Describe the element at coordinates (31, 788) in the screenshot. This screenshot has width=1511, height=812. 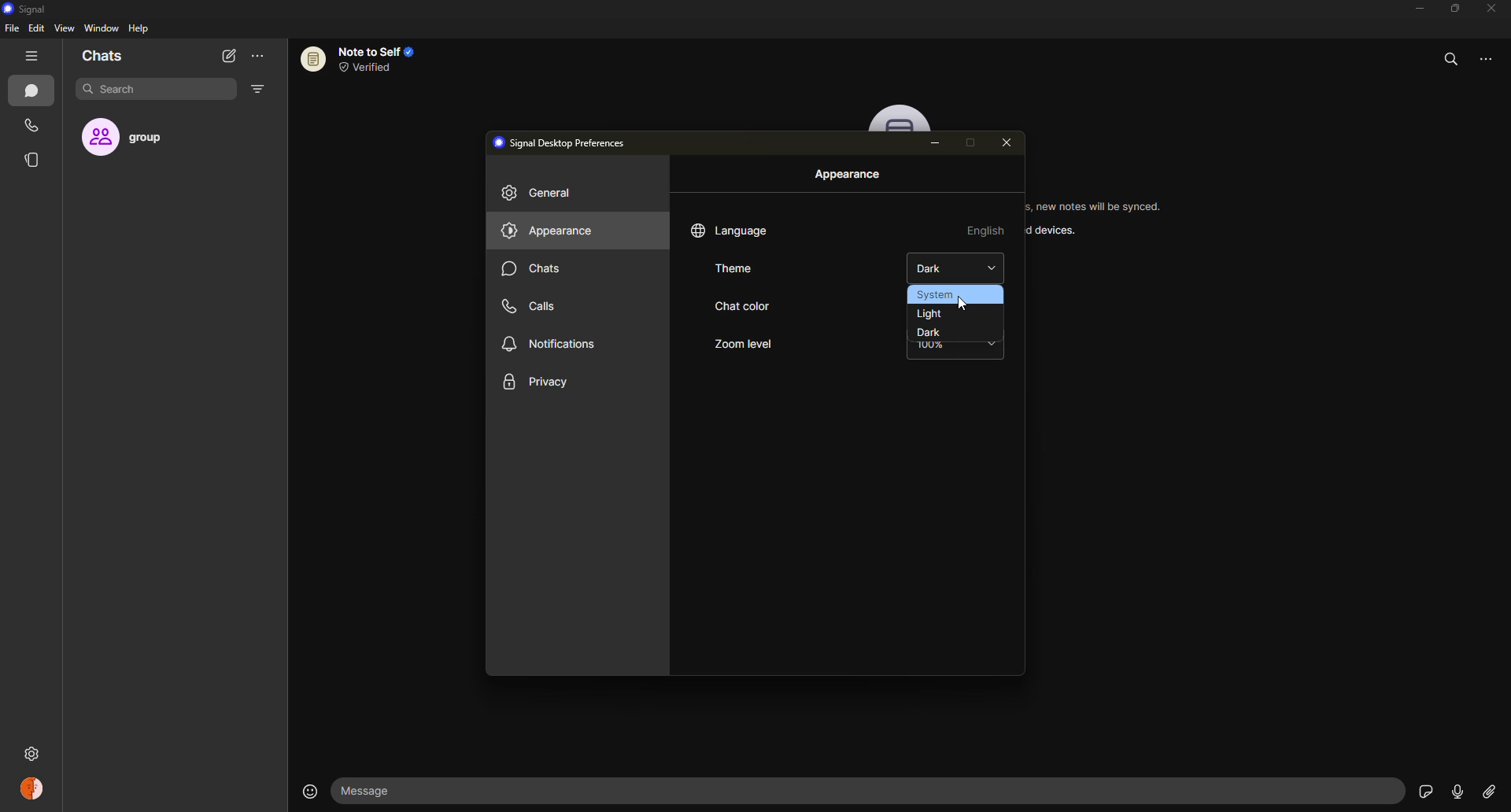
I see `profile` at that location.